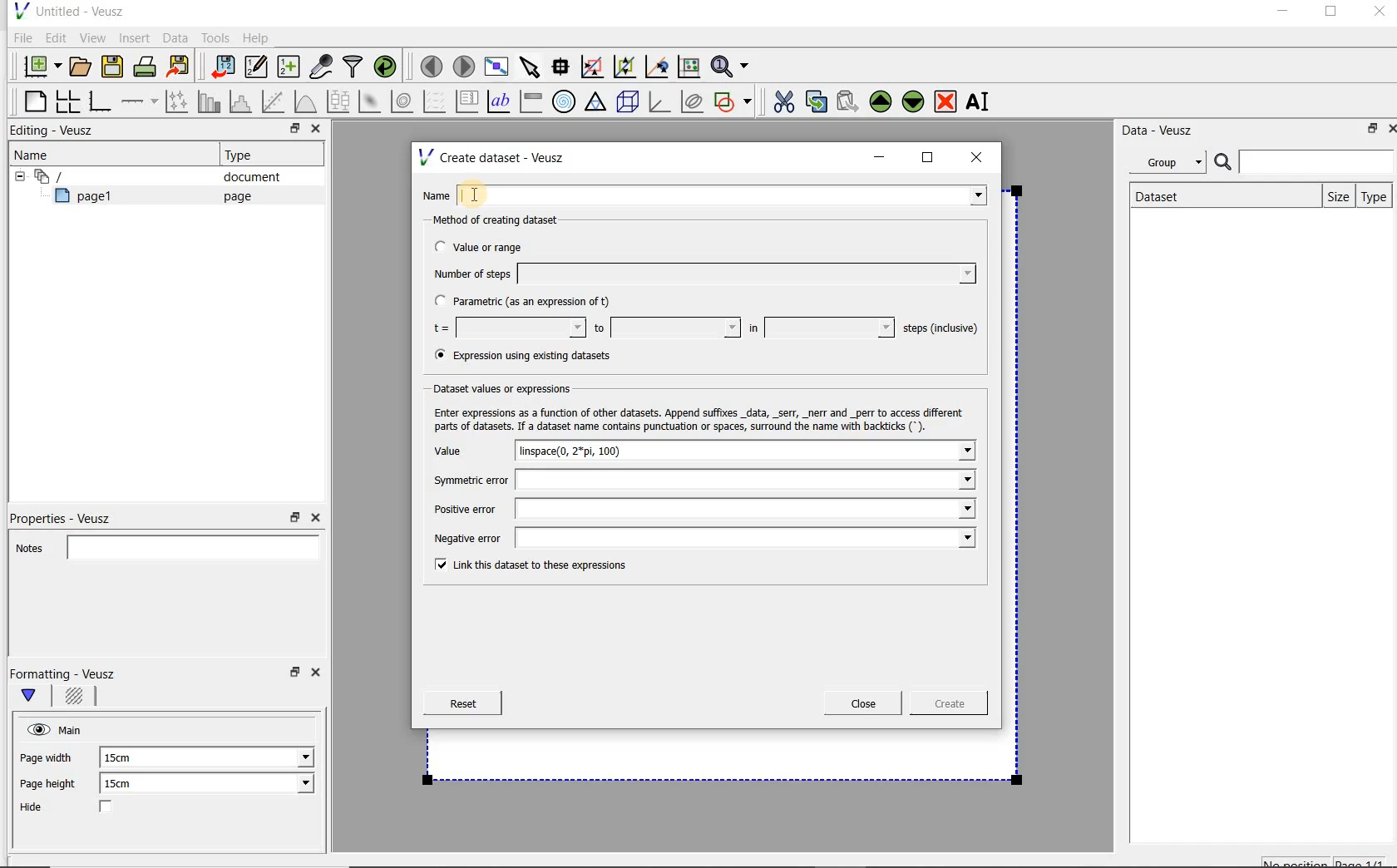 The width and height of the screenshot is (1397, 868). I want to click on 3d scene, so click(629, 103).